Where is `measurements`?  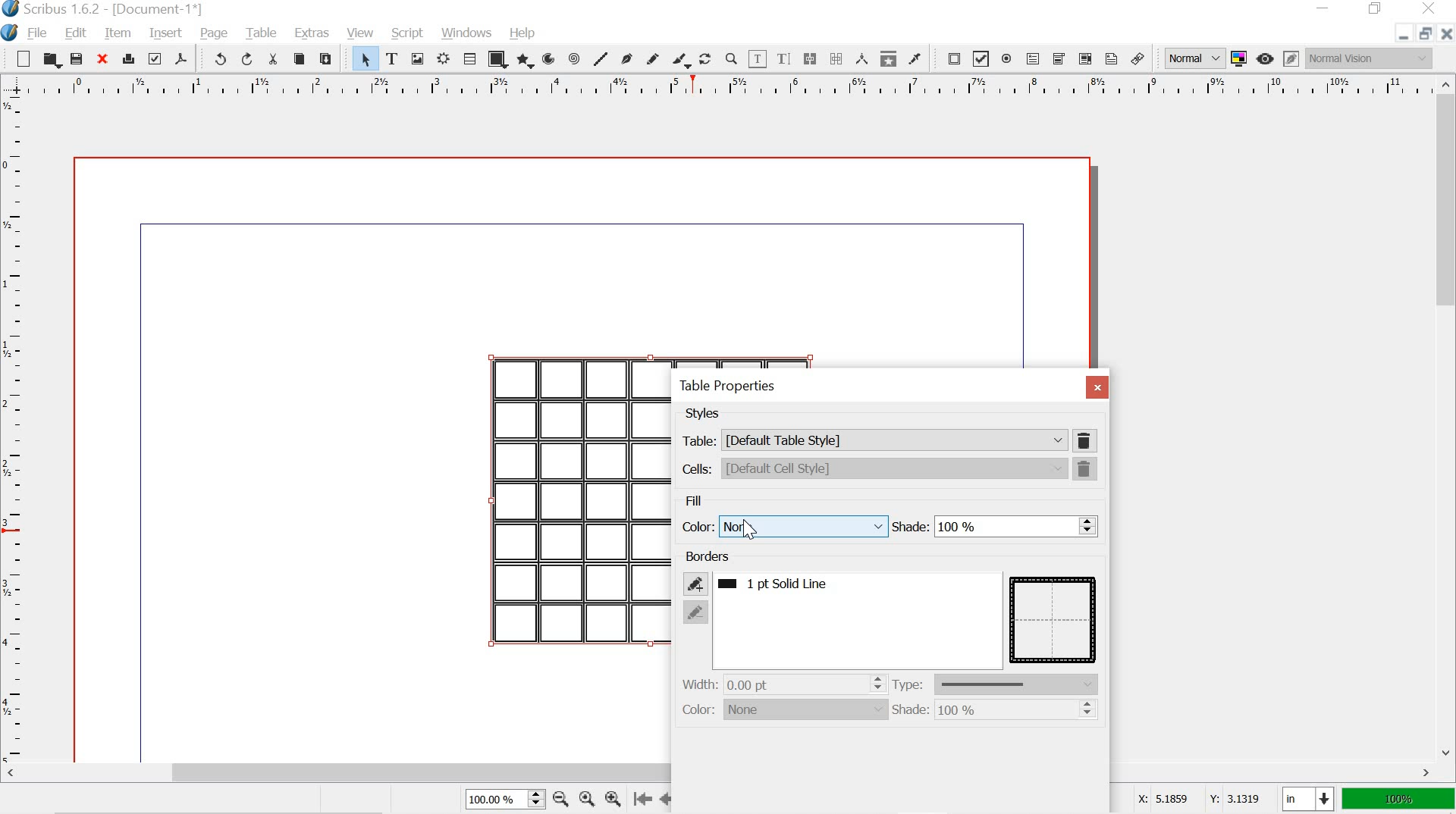
measurements is located at coordinates (863, 58).